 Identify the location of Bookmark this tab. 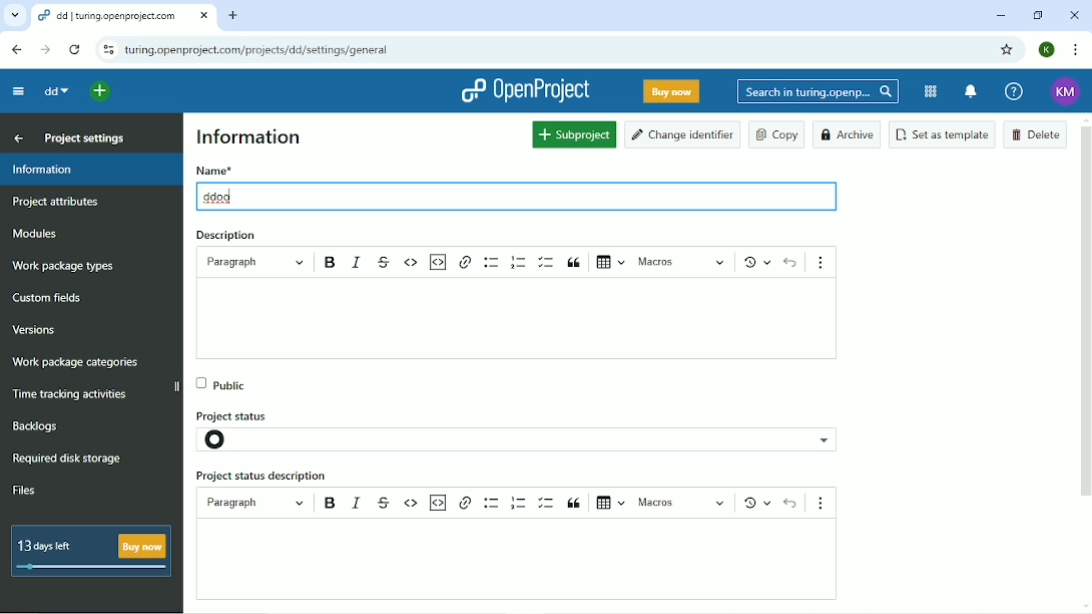
(1007, 50).